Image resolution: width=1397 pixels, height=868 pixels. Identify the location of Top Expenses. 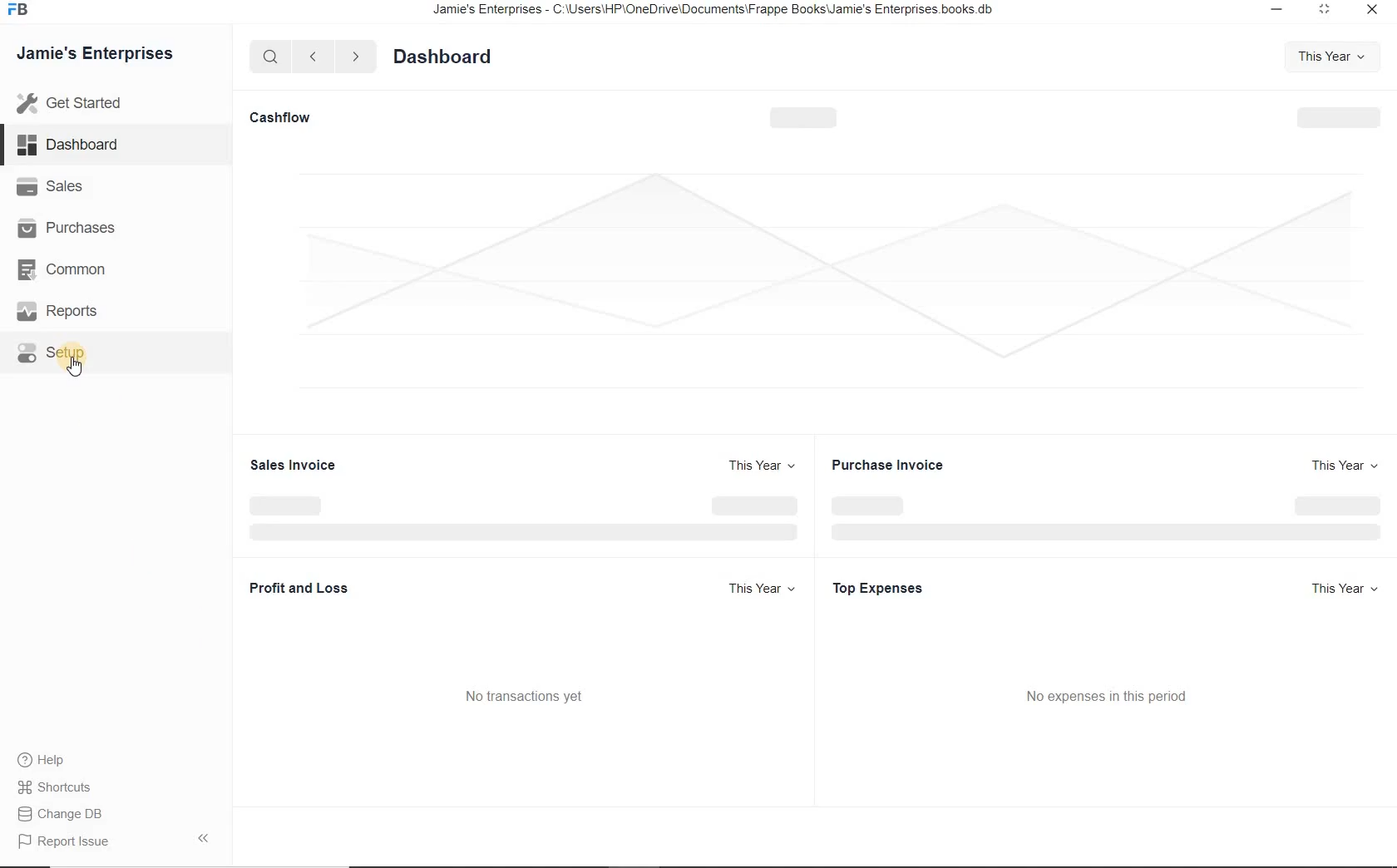
(881, 588).